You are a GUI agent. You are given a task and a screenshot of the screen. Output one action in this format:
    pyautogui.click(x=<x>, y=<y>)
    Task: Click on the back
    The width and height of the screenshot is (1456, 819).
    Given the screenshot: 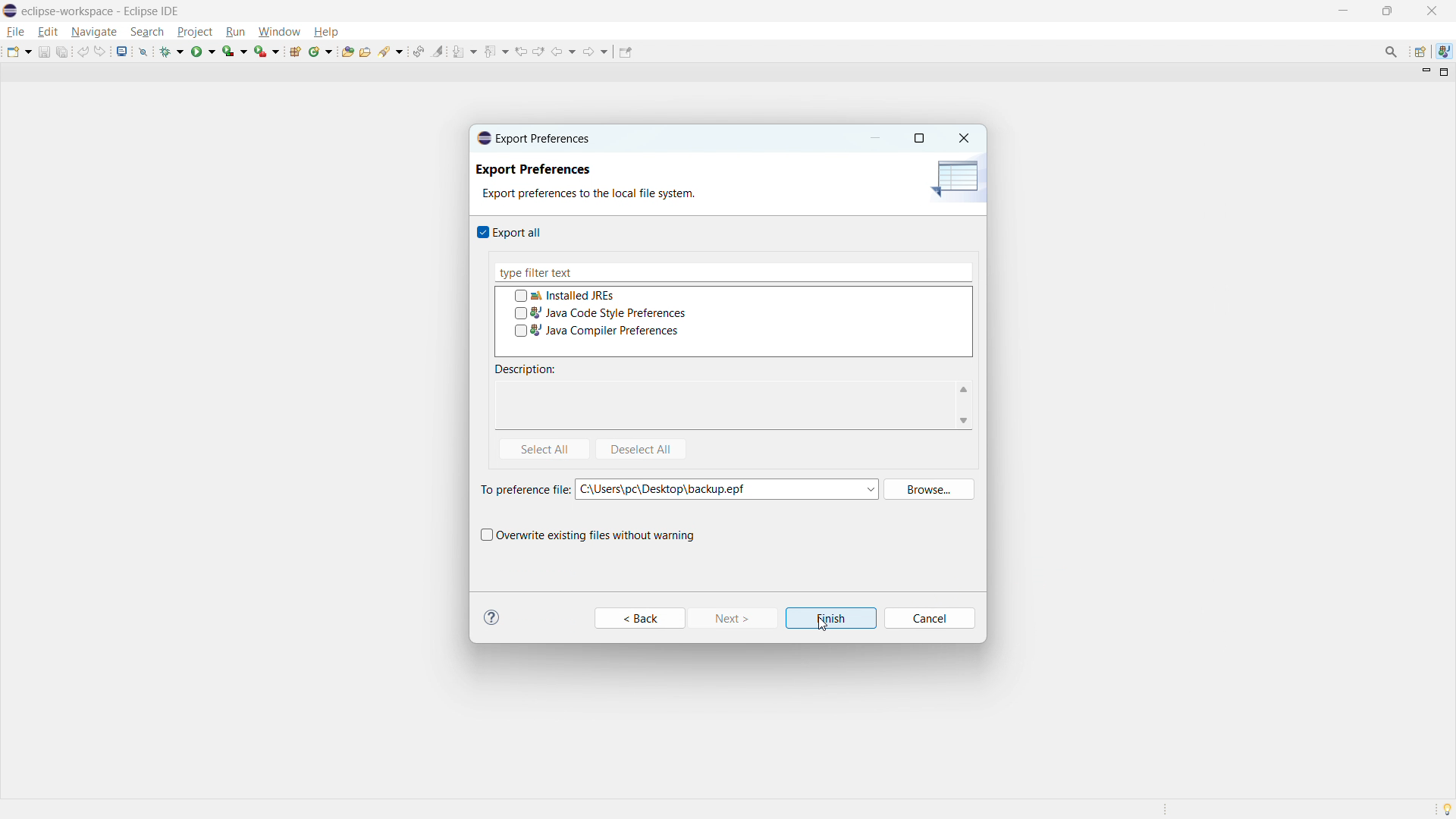 What is the action you would take?
    pyautogui.click(x=564, y=52)
    